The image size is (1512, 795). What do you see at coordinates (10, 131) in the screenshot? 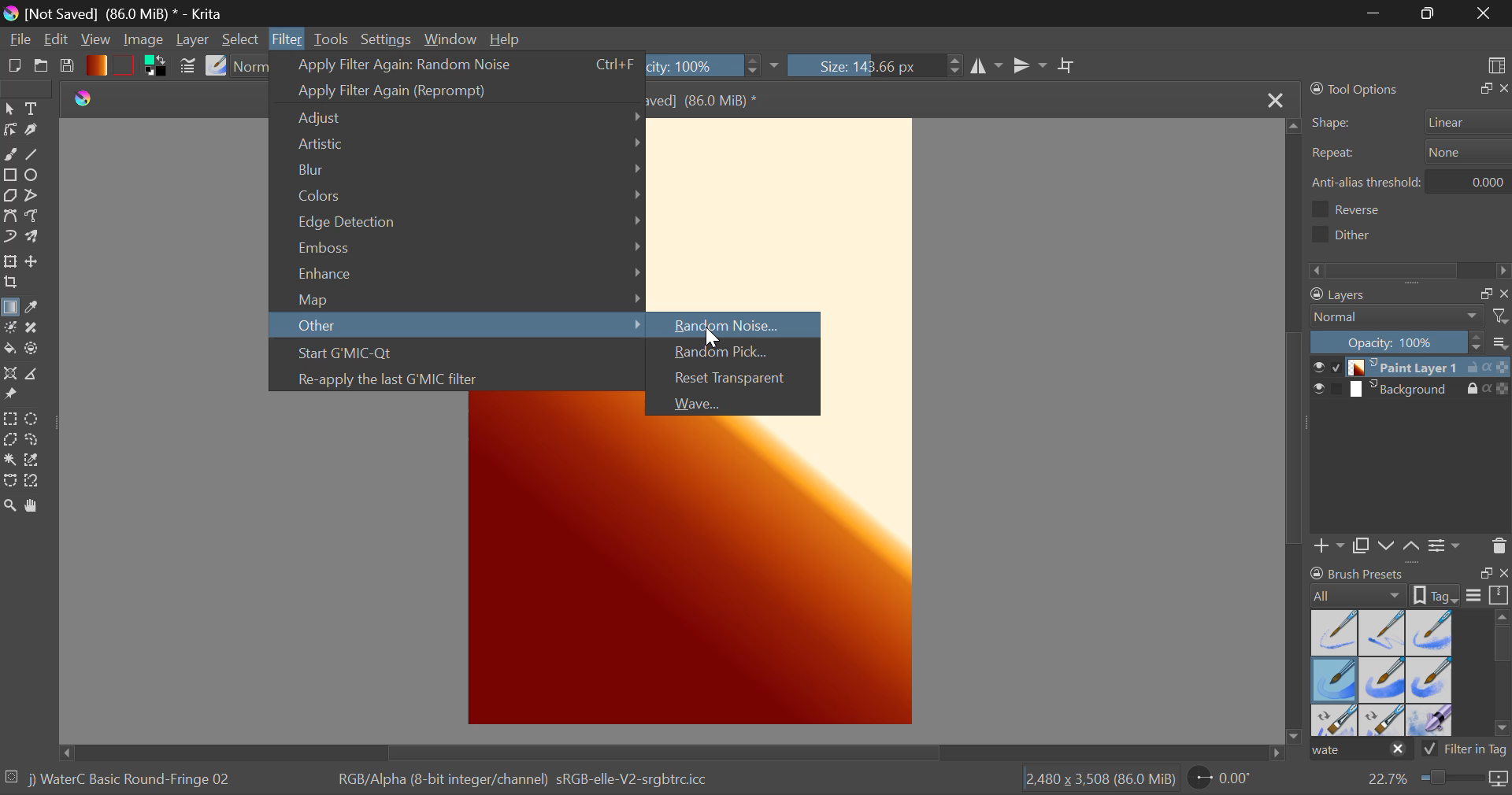
I see `Edit Shapes` at bounding box center [10, 131].